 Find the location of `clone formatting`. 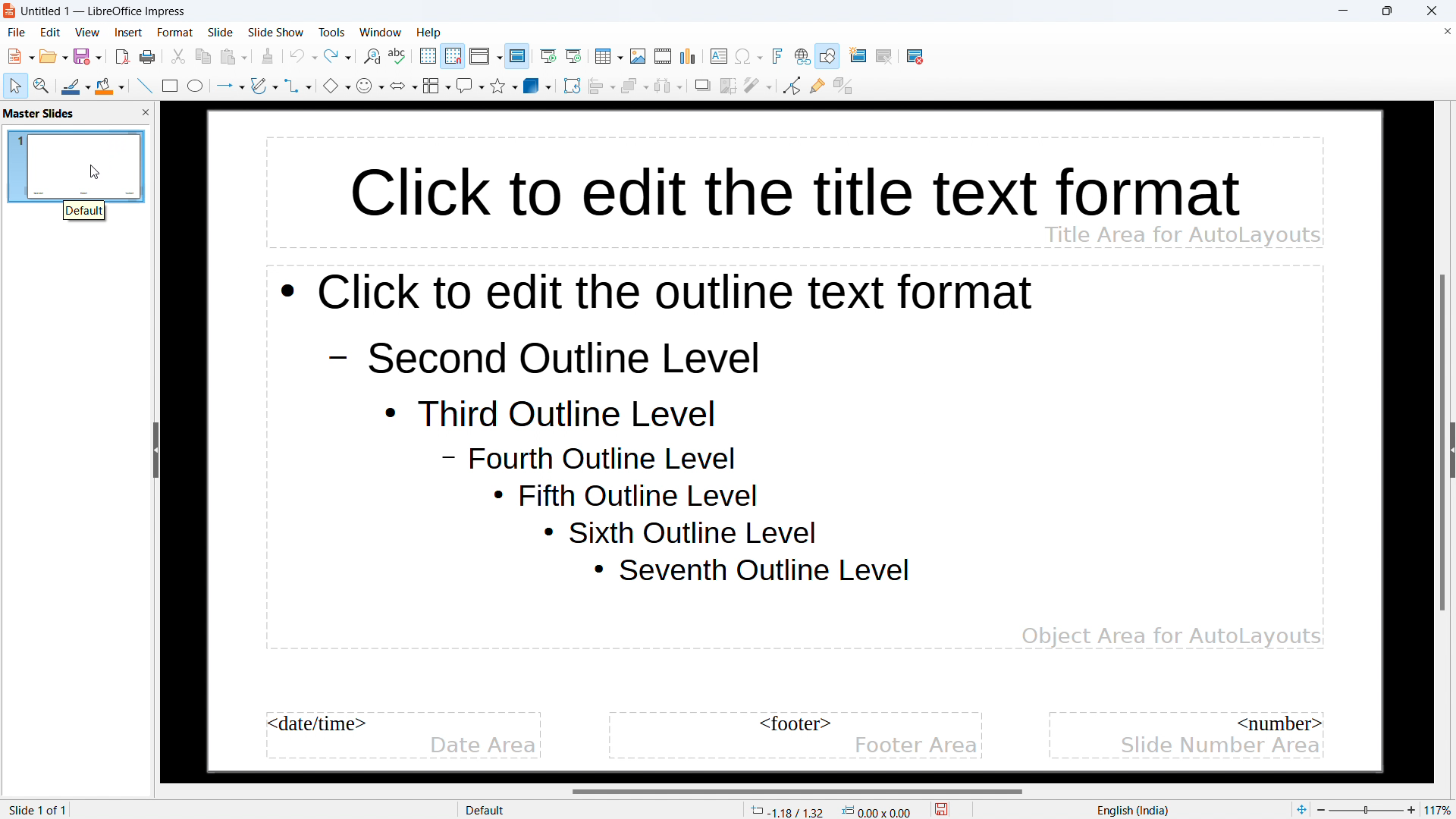

clone formatting is located at coordinates (268, 57).